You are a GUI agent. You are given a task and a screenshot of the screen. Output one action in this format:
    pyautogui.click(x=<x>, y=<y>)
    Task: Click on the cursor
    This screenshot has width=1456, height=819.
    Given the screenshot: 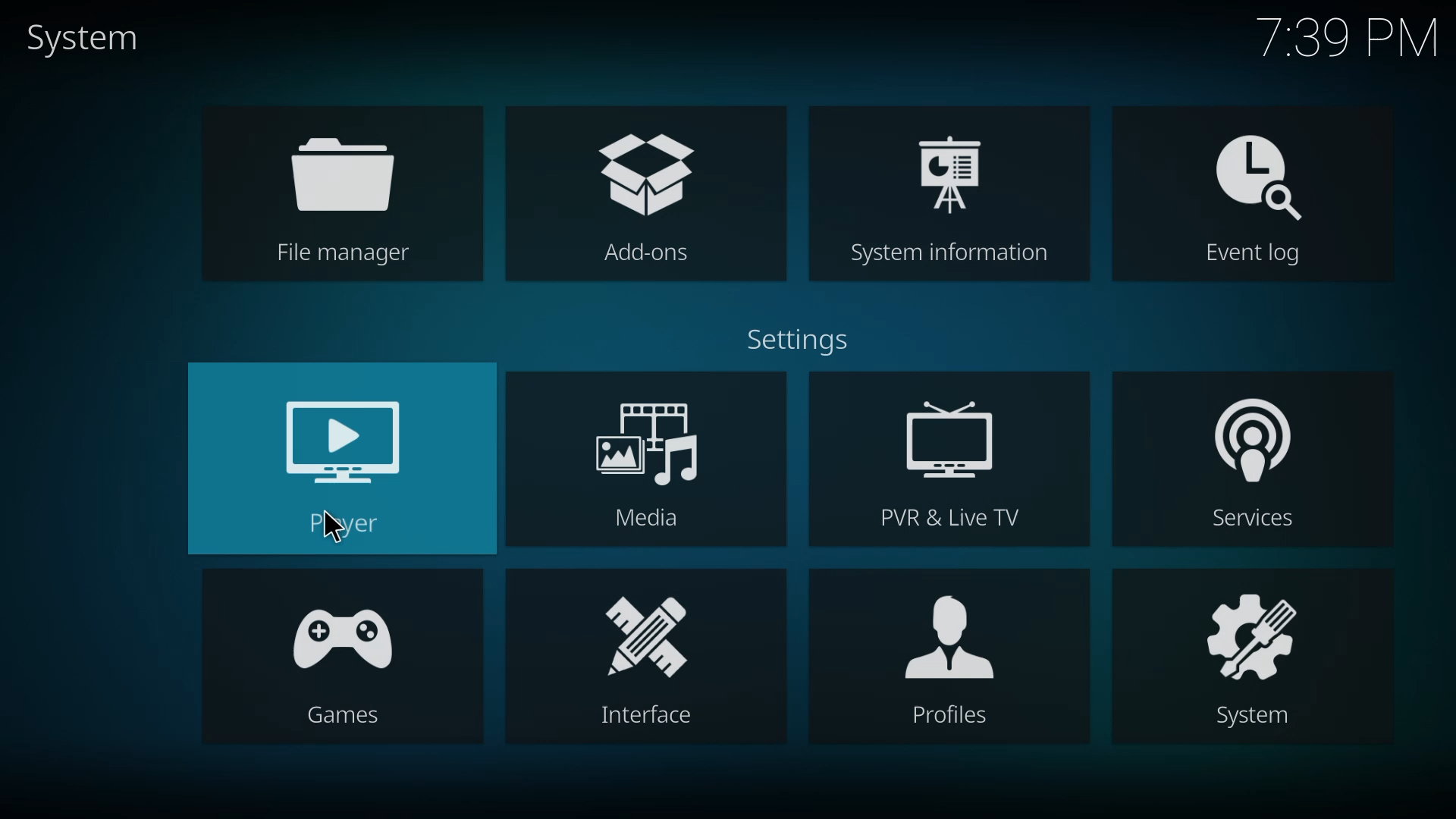 What is the action you would take?
    pyautogui.click(x=334, y=526)
    